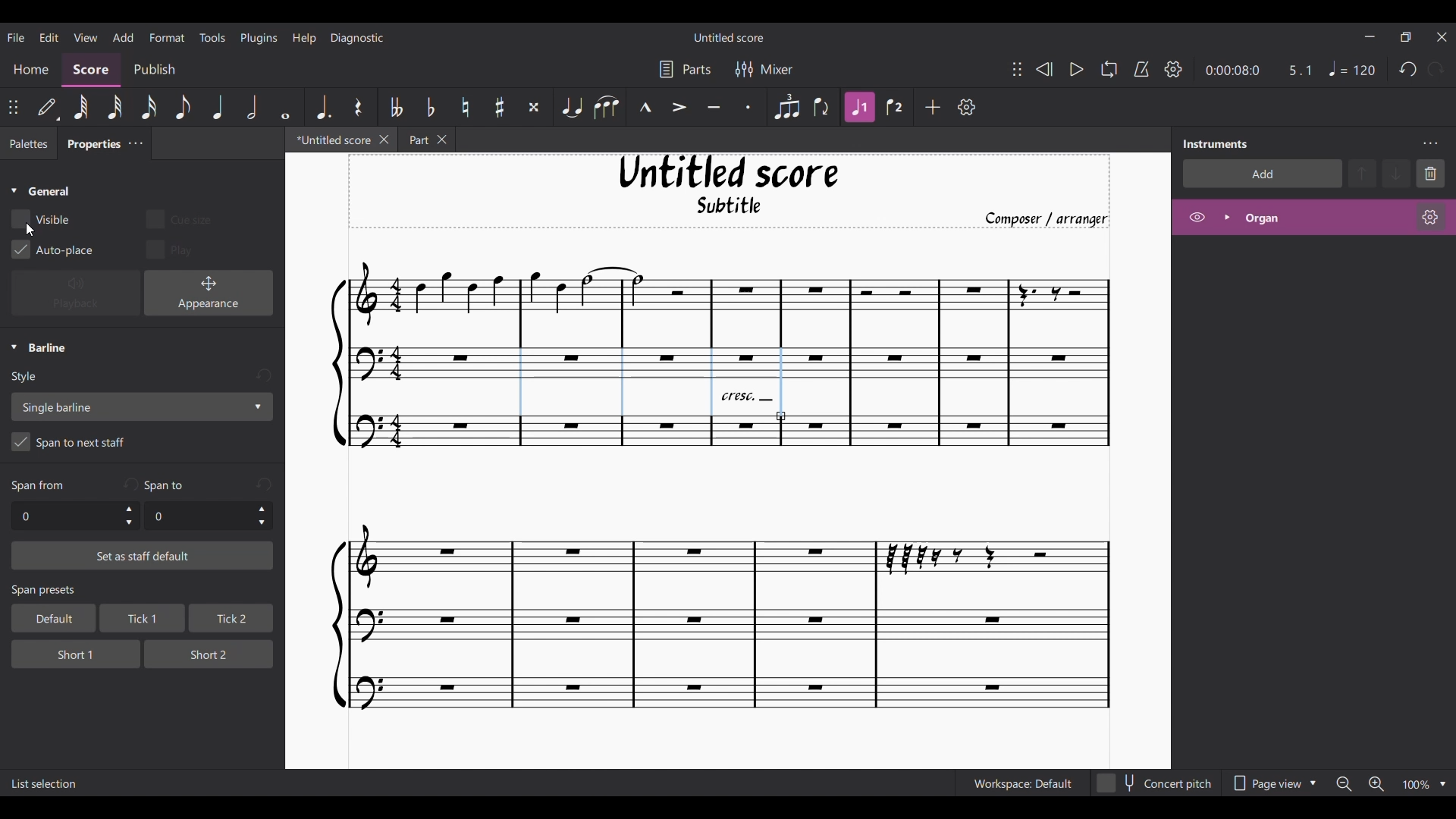 The image size is (1456, 819). I want to click on Organ settings, so click(1430, 217).